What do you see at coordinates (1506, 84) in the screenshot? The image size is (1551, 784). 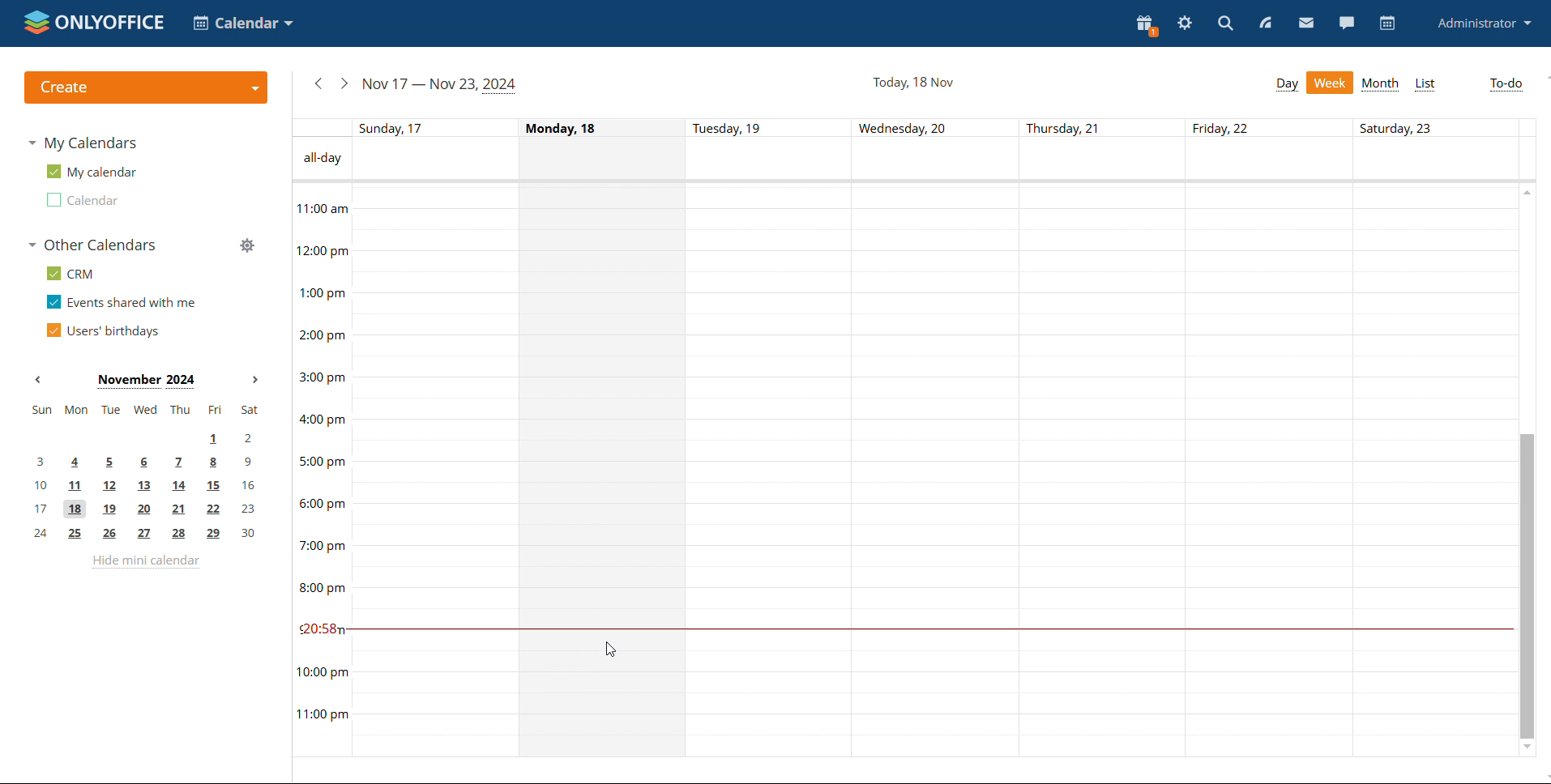 I see `to-do` at bounding box center [1506, 84].